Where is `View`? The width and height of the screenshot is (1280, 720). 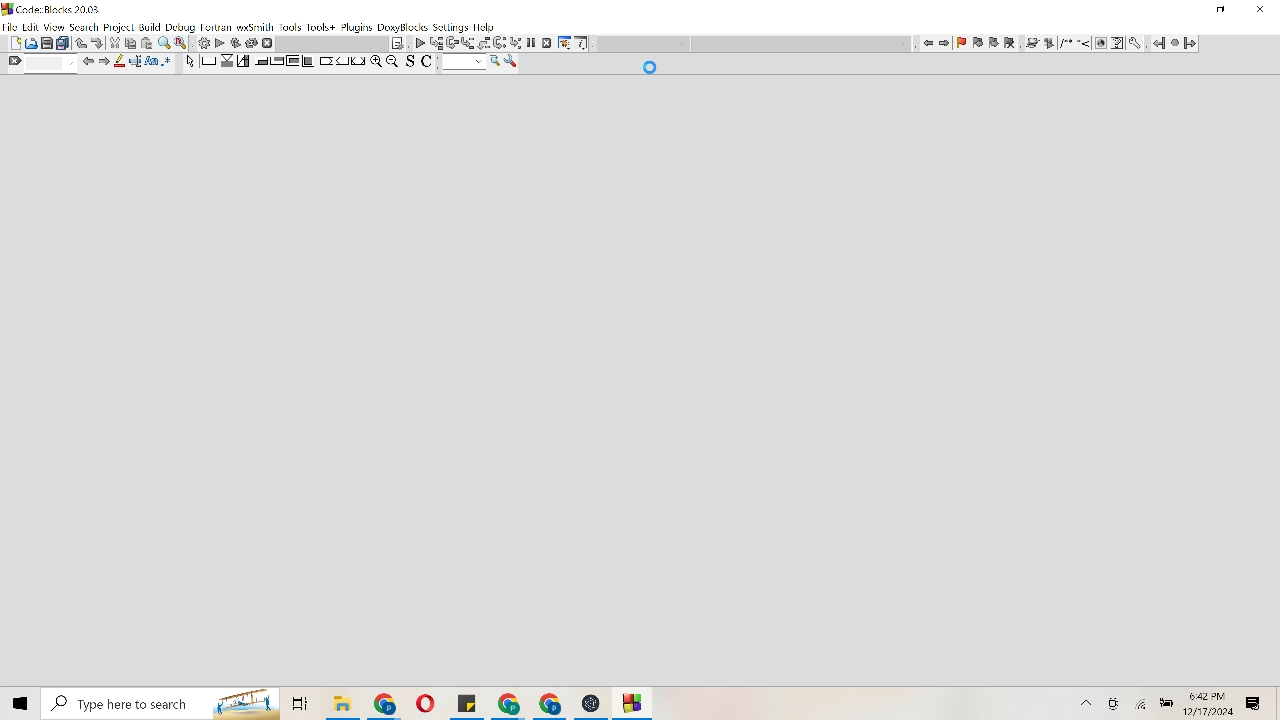 View is located at coordinates (54, 27).